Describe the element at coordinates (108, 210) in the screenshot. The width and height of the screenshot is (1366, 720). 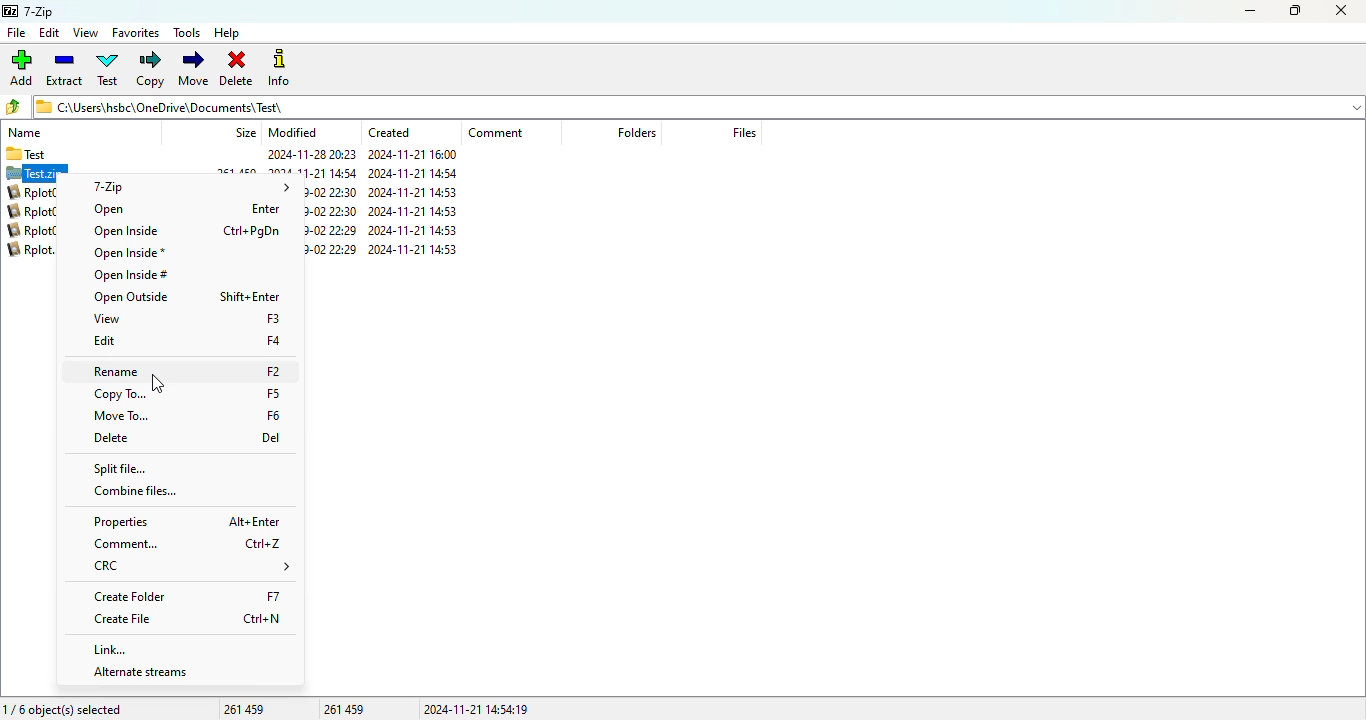
I see `open` at that location.